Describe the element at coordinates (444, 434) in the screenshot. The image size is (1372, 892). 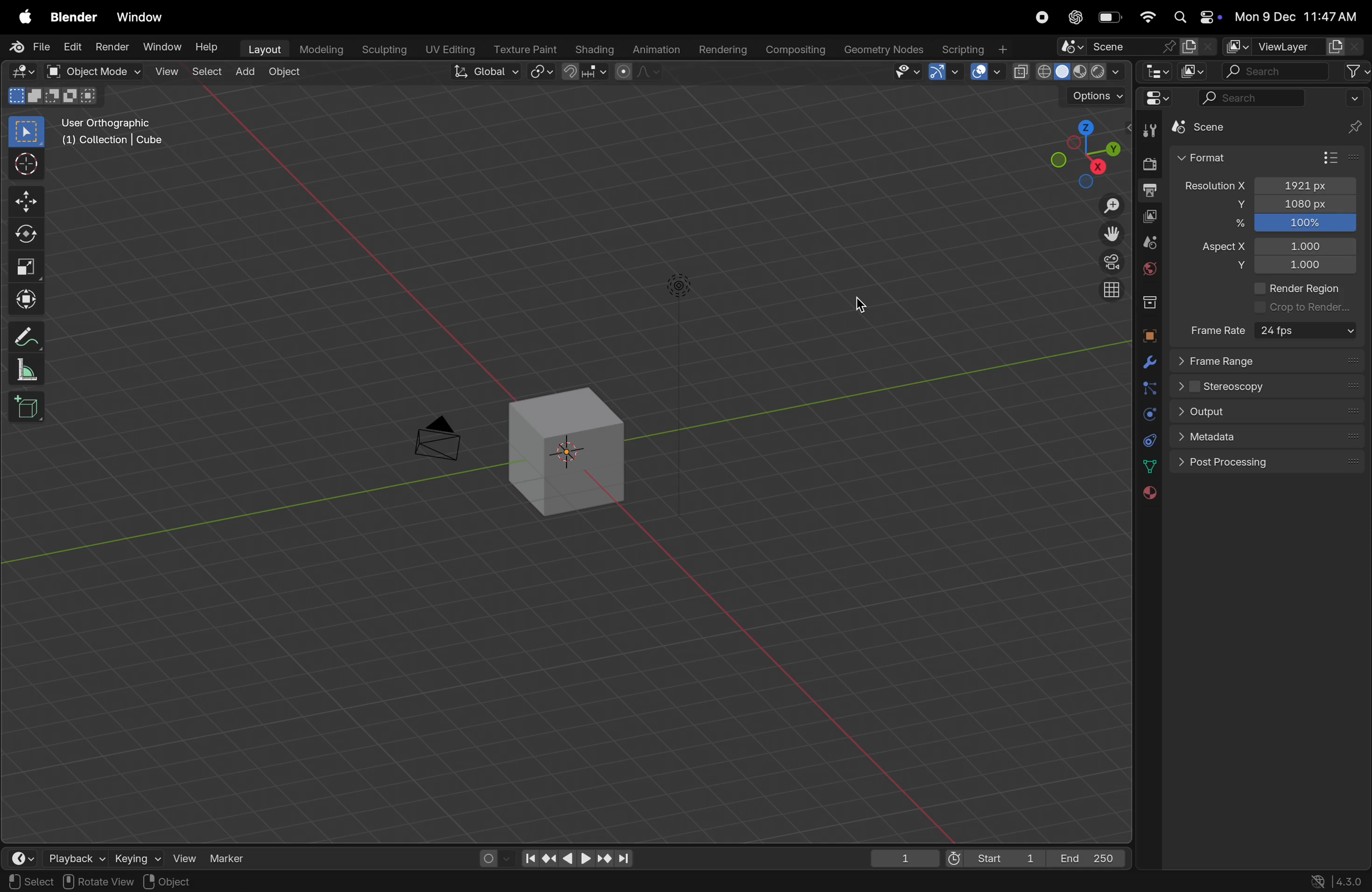
I see `camera` at that location.